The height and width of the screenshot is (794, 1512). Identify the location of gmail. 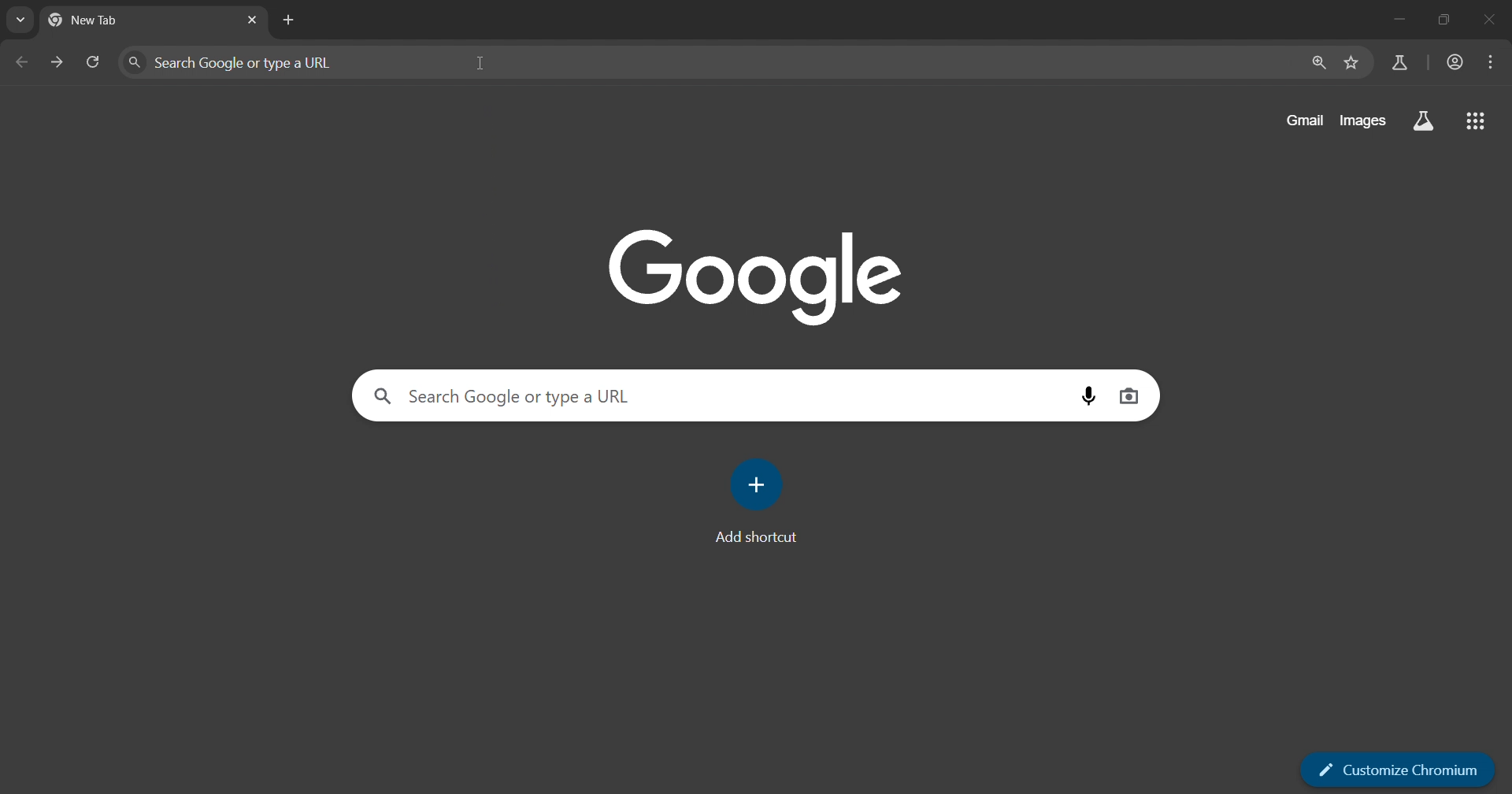
(1304, 118).